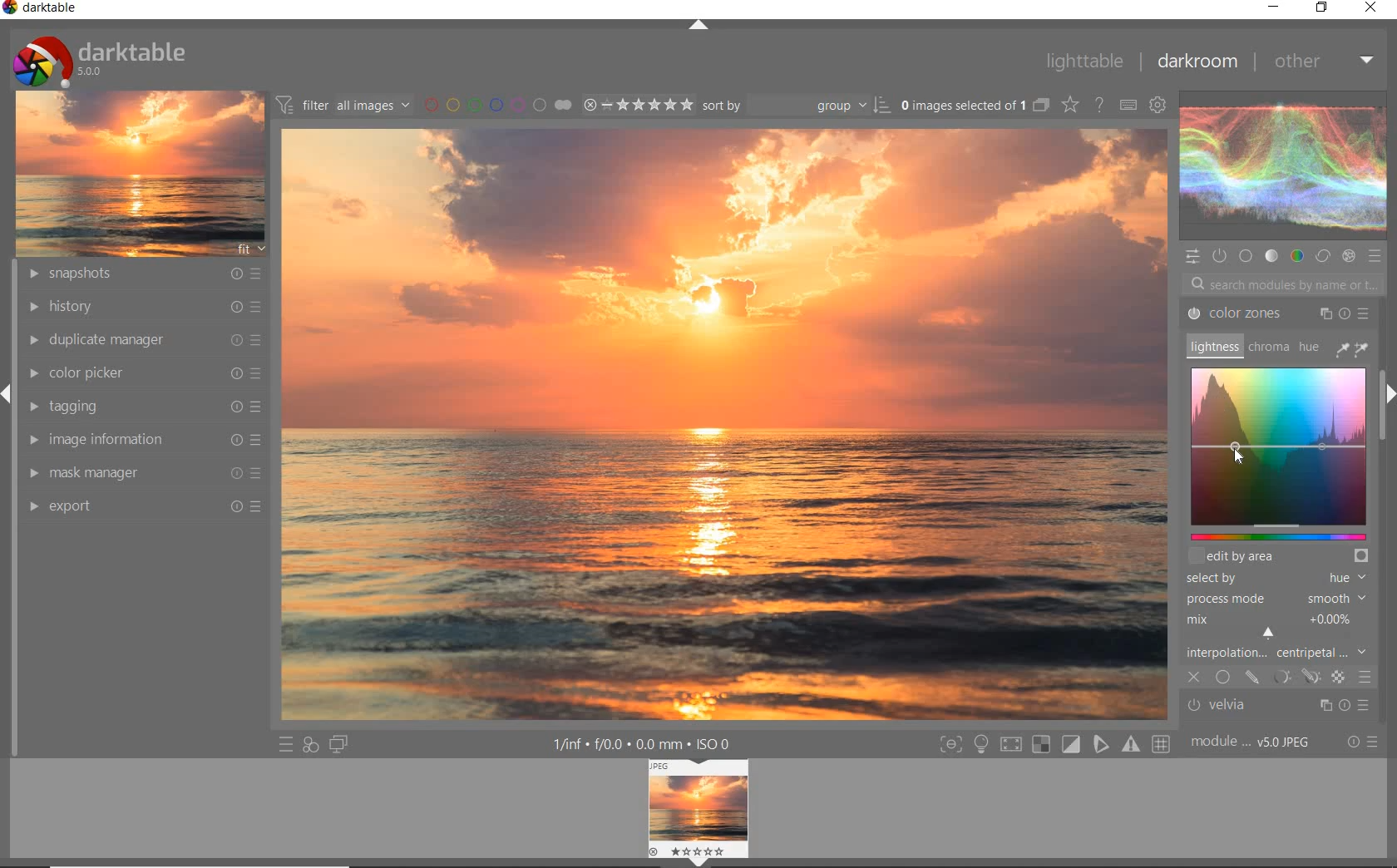  What do you see at coordinates (1212, 346) in the screenshot?
I see `LIGHTNESS` at bounding box center [1212, 346].